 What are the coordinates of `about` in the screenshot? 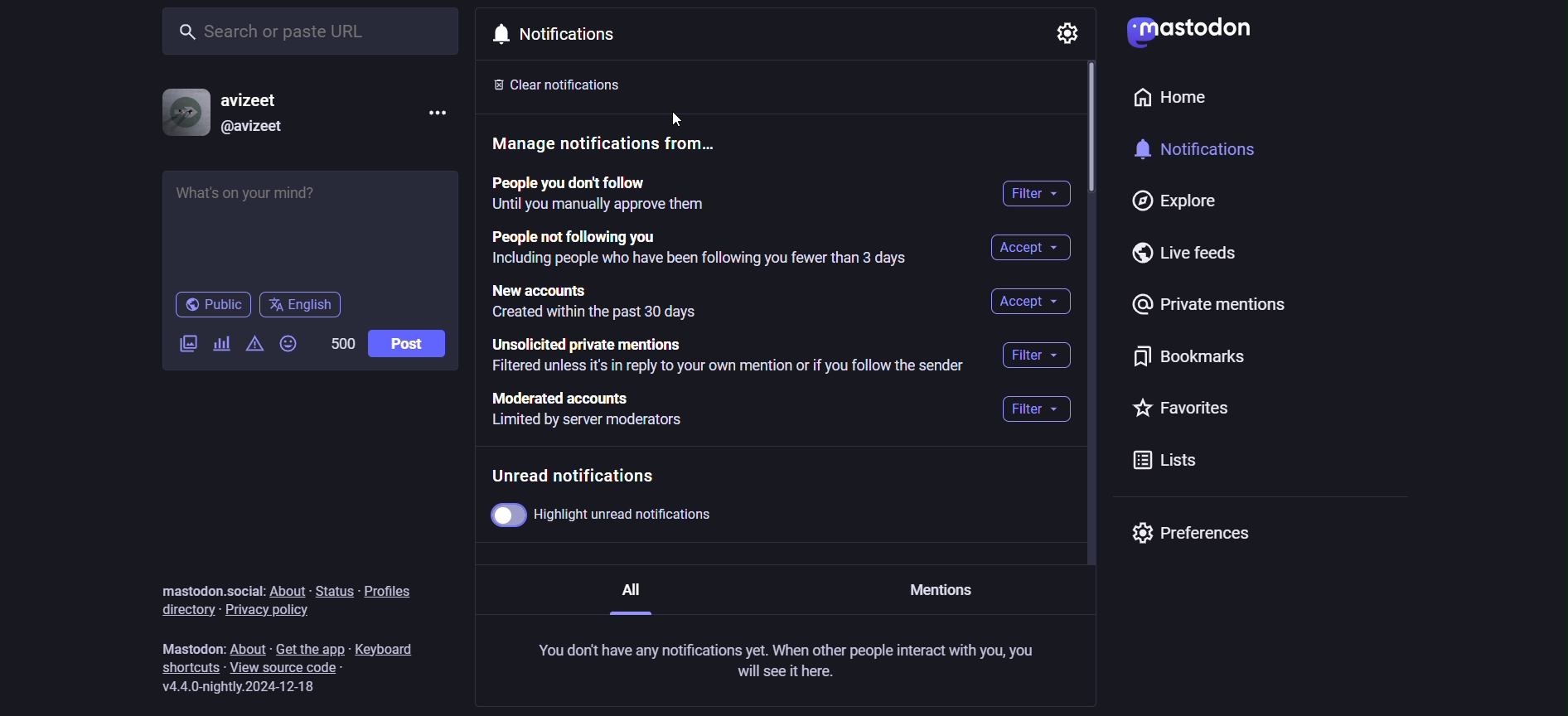 It's located at (249, 647).